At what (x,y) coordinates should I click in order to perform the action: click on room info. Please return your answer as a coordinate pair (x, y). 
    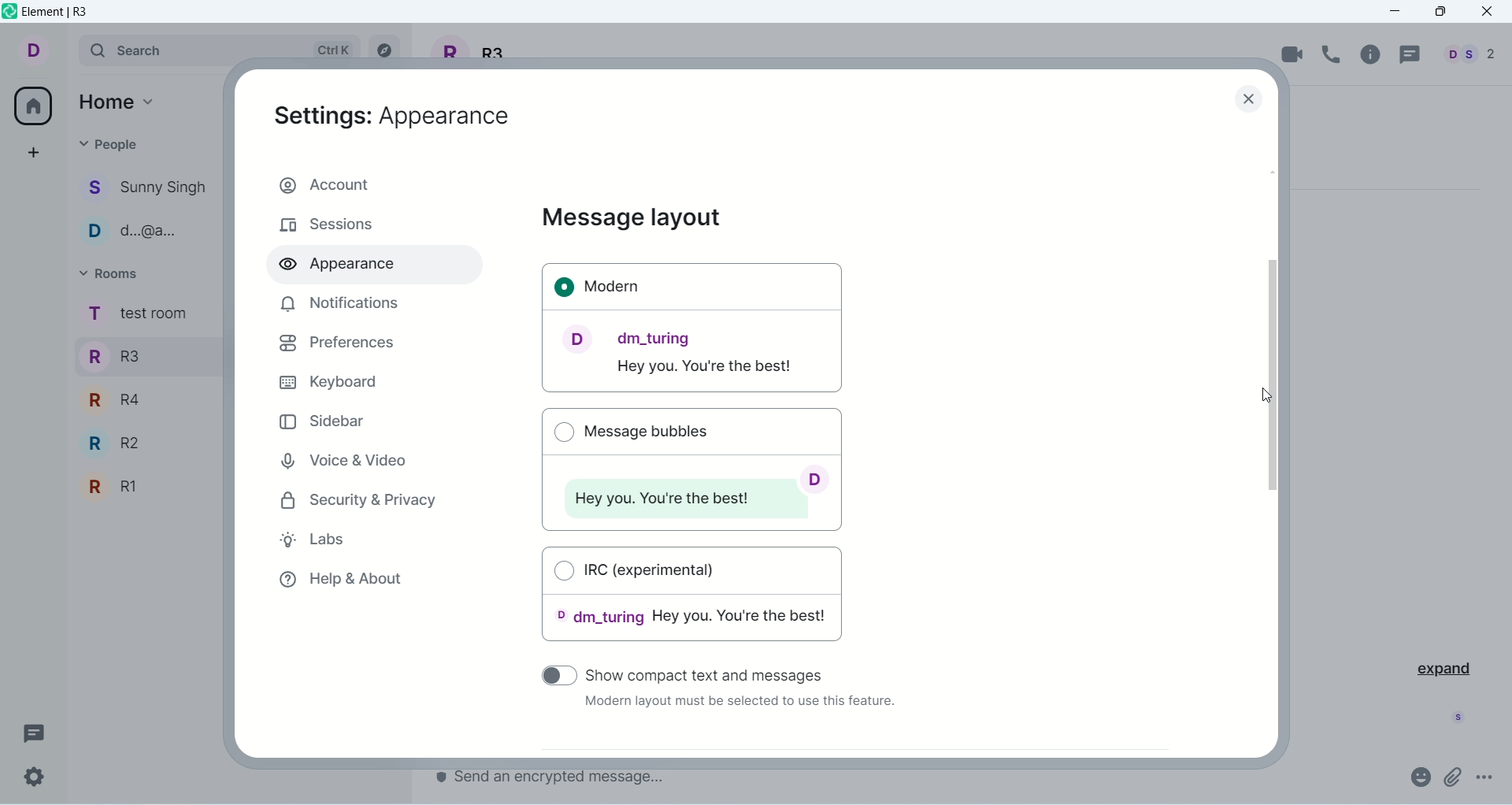
    Looking at the image, I should click on (1373, 54).